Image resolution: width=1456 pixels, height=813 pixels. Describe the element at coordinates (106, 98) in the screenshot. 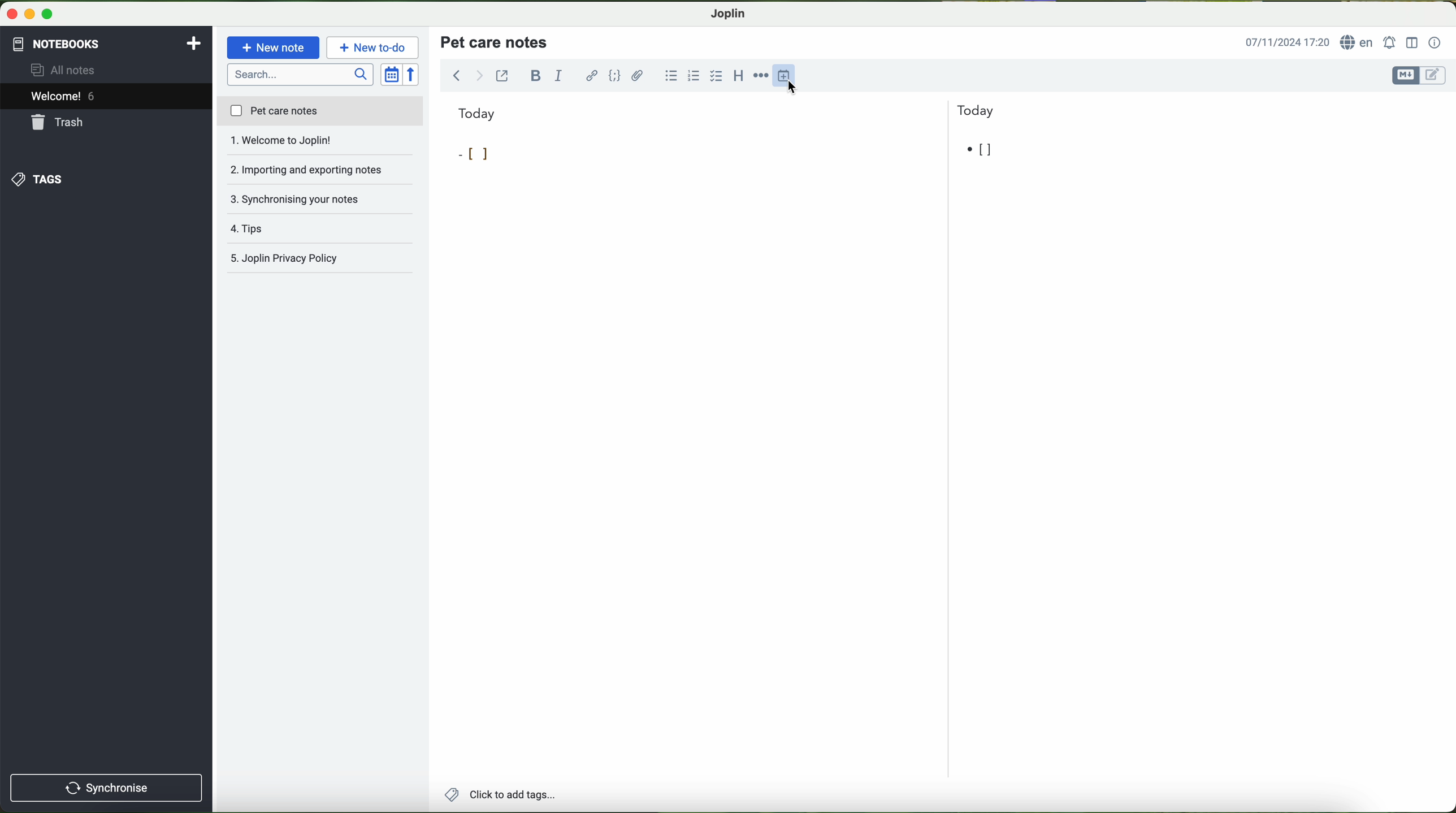

I see `welcome` at that location.